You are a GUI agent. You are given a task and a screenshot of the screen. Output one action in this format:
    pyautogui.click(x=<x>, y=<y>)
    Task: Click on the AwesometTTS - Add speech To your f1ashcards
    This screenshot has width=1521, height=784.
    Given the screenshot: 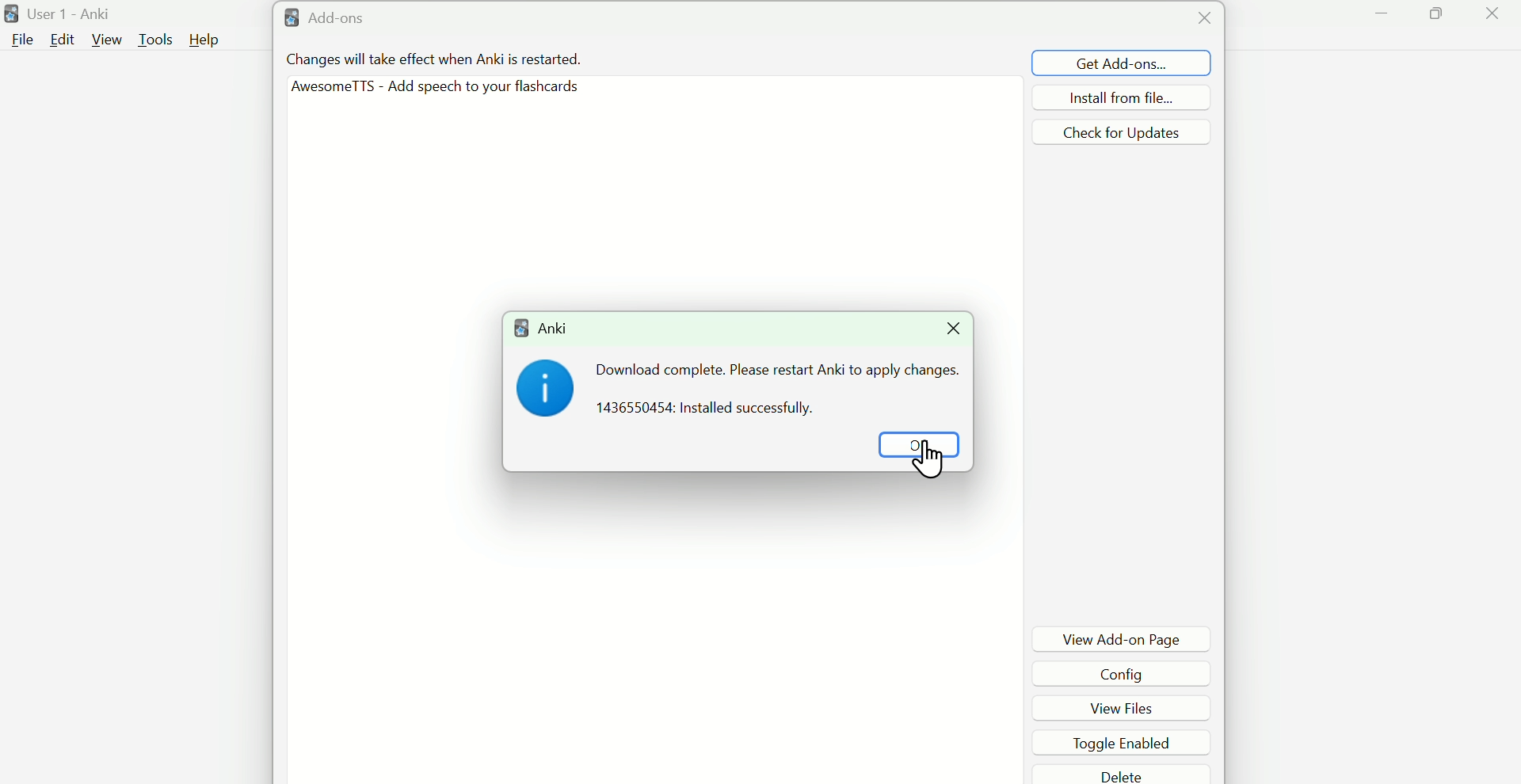 What is the action you would take?
    pyautogui.click(x=437, y=86)
    